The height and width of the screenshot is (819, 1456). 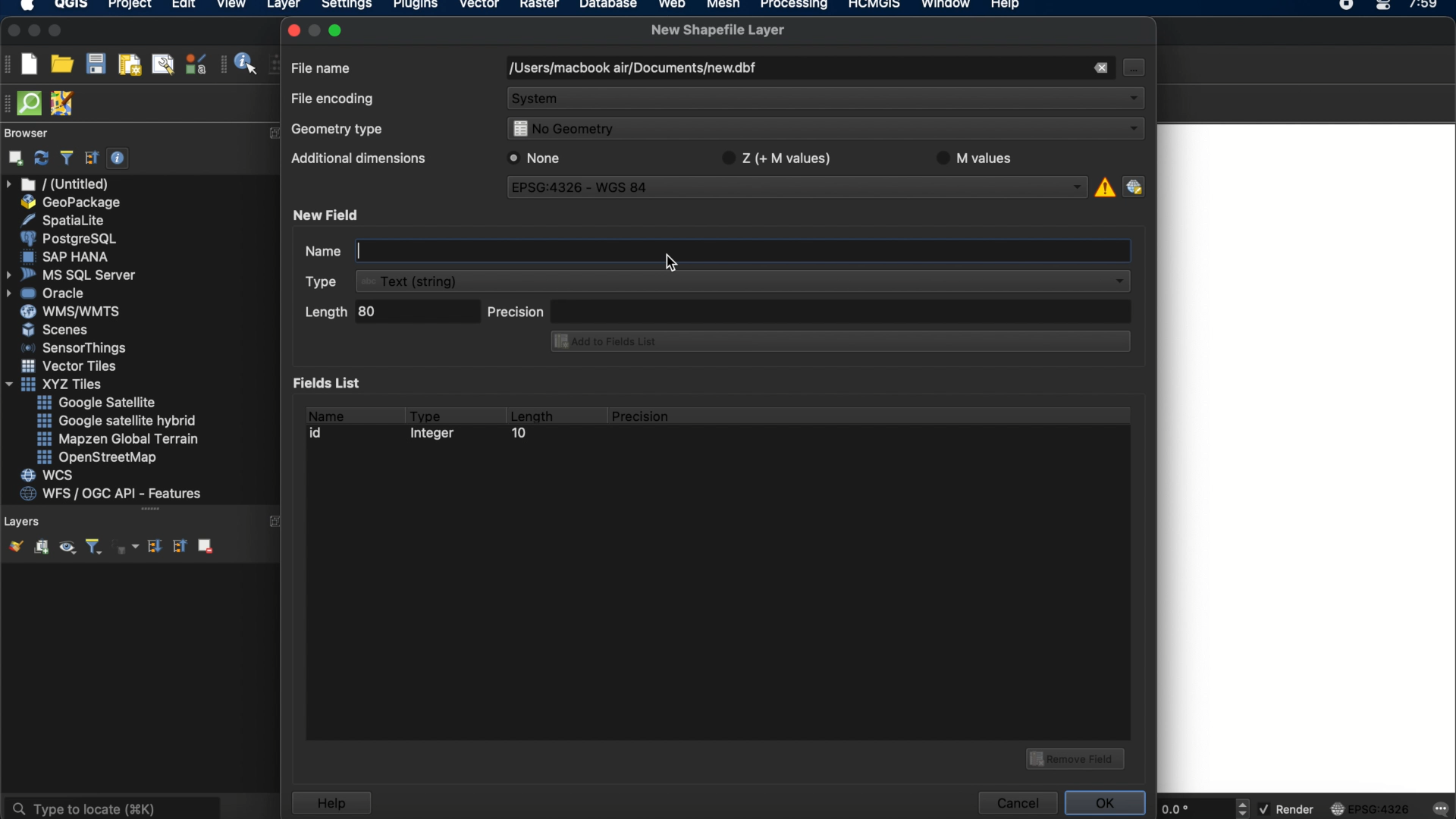 What do you see at coordinates (1288, 810) in the screenshot?
I see `render` at bounding box center [1288, 810].